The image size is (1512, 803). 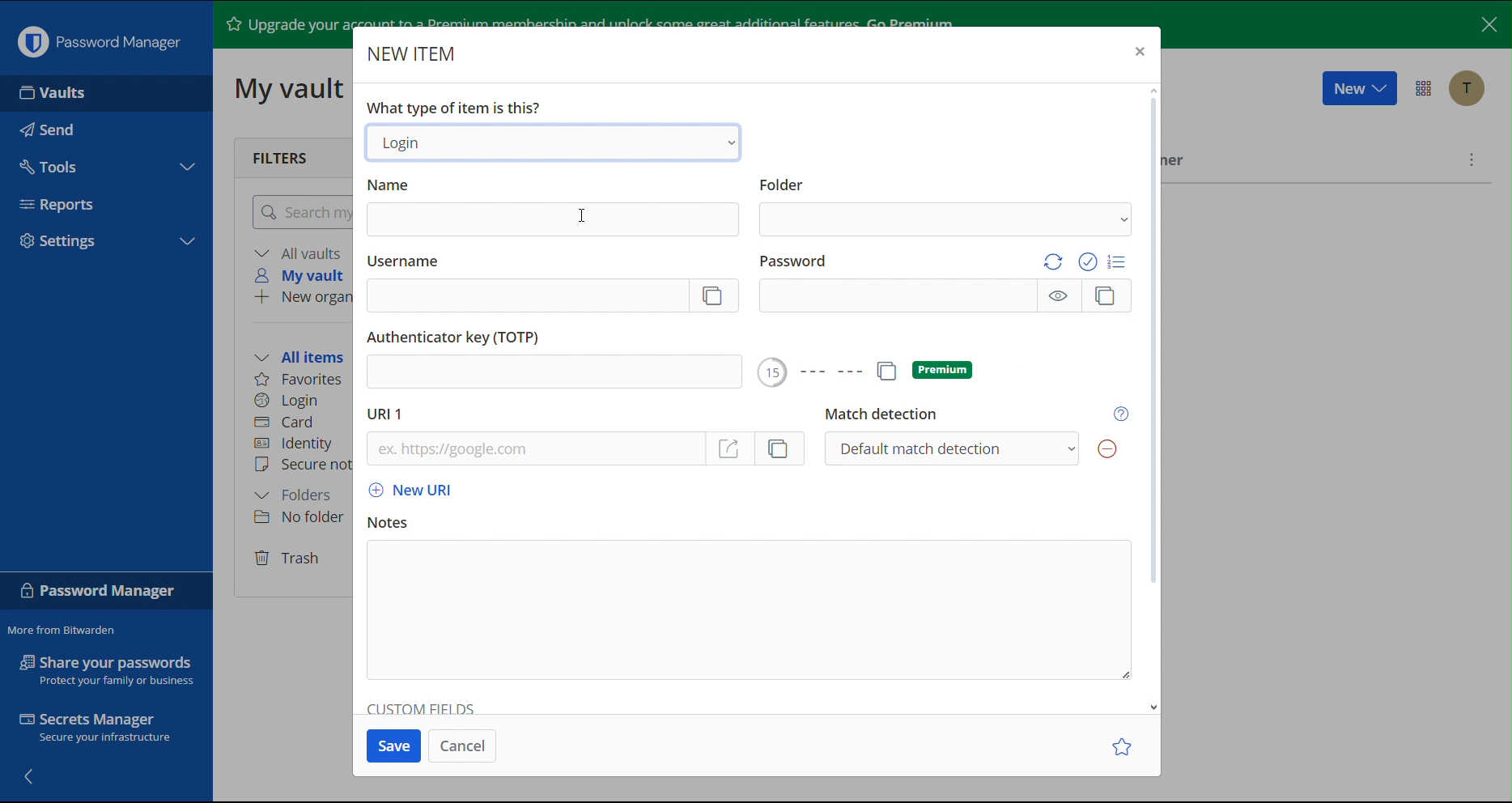 What do you see at coordinates (105, 91) in the screenshot?
I see `Vaults` at bounding box center [105, 91].